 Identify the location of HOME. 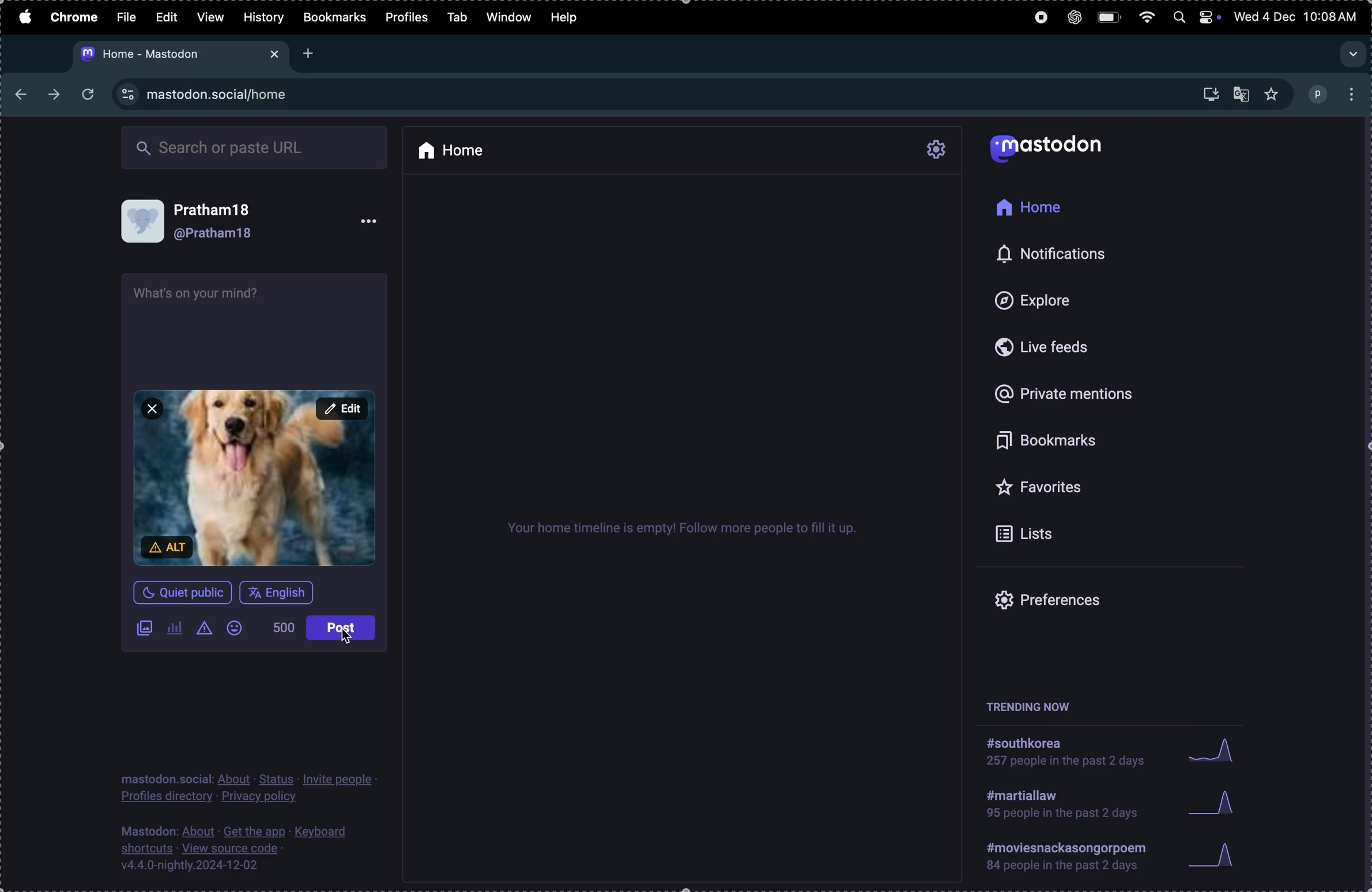
(1028, 206).